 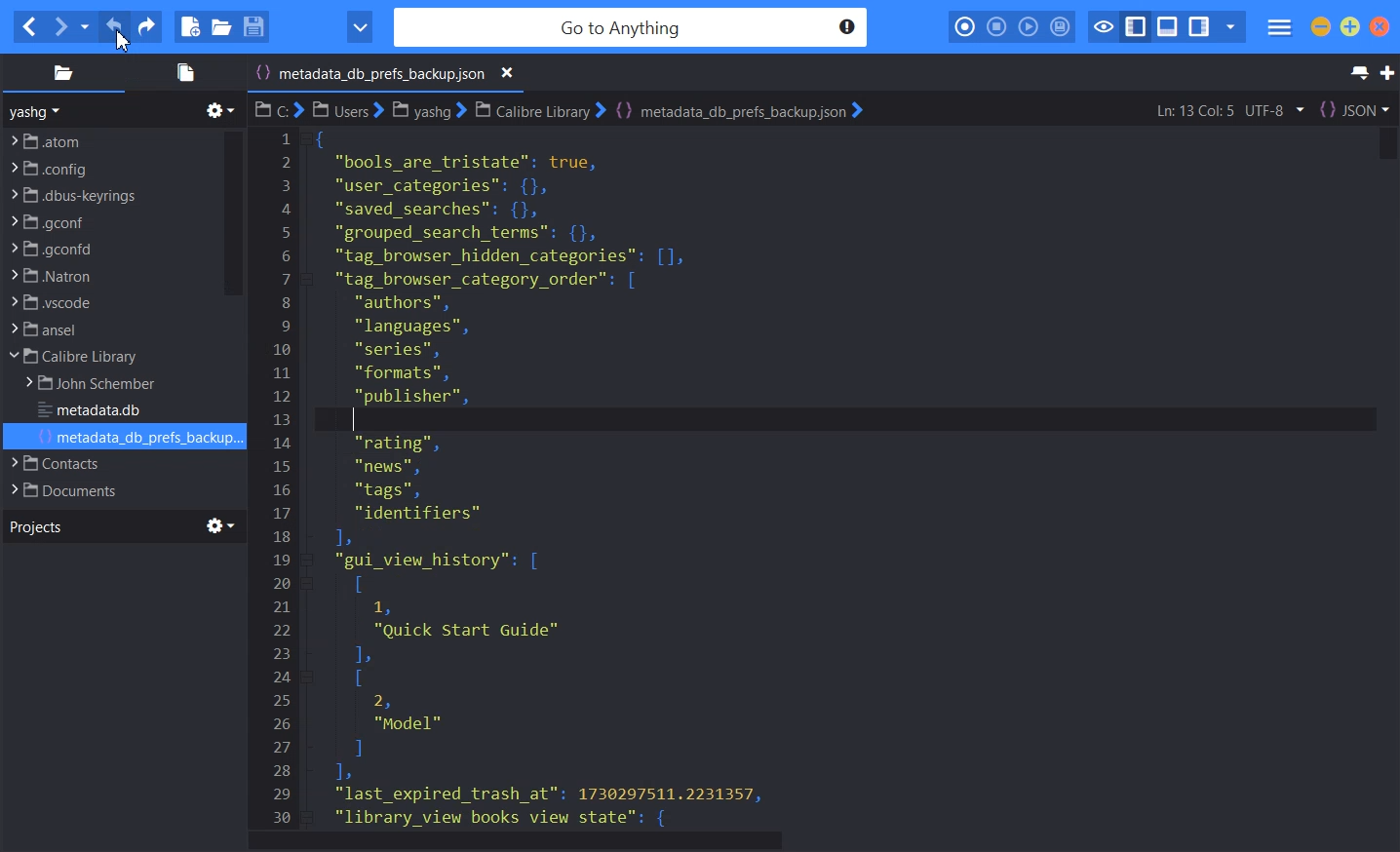 What do you see at coordinates (1357, 73) in the screenshot?
I see `List all tabs` at bounding box center [1357, 73].